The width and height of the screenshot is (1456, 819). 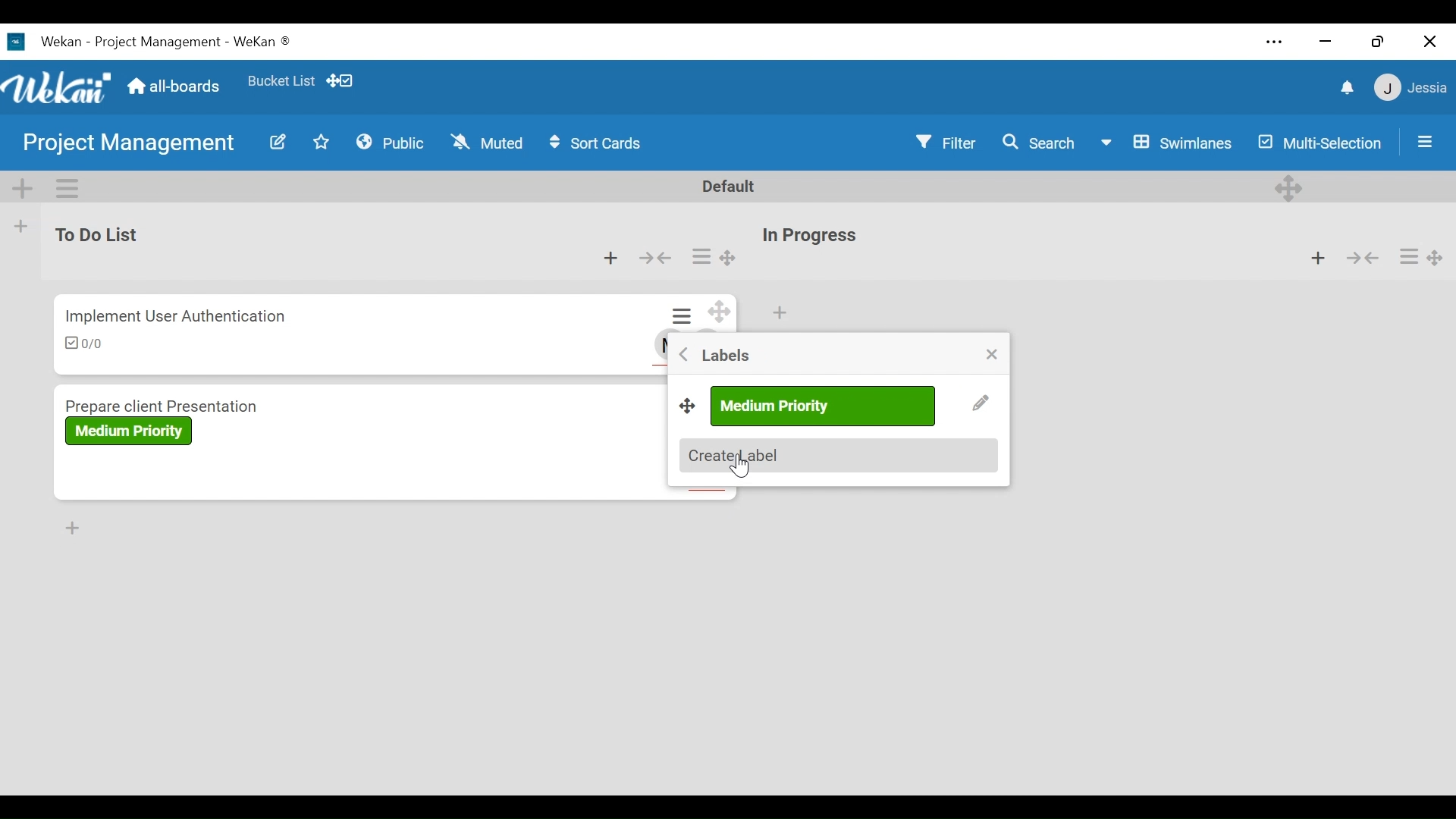 What do you see at coordinates (685, 317) in the screenshot?
I see `Card actions` at bounding box center [685, 317].